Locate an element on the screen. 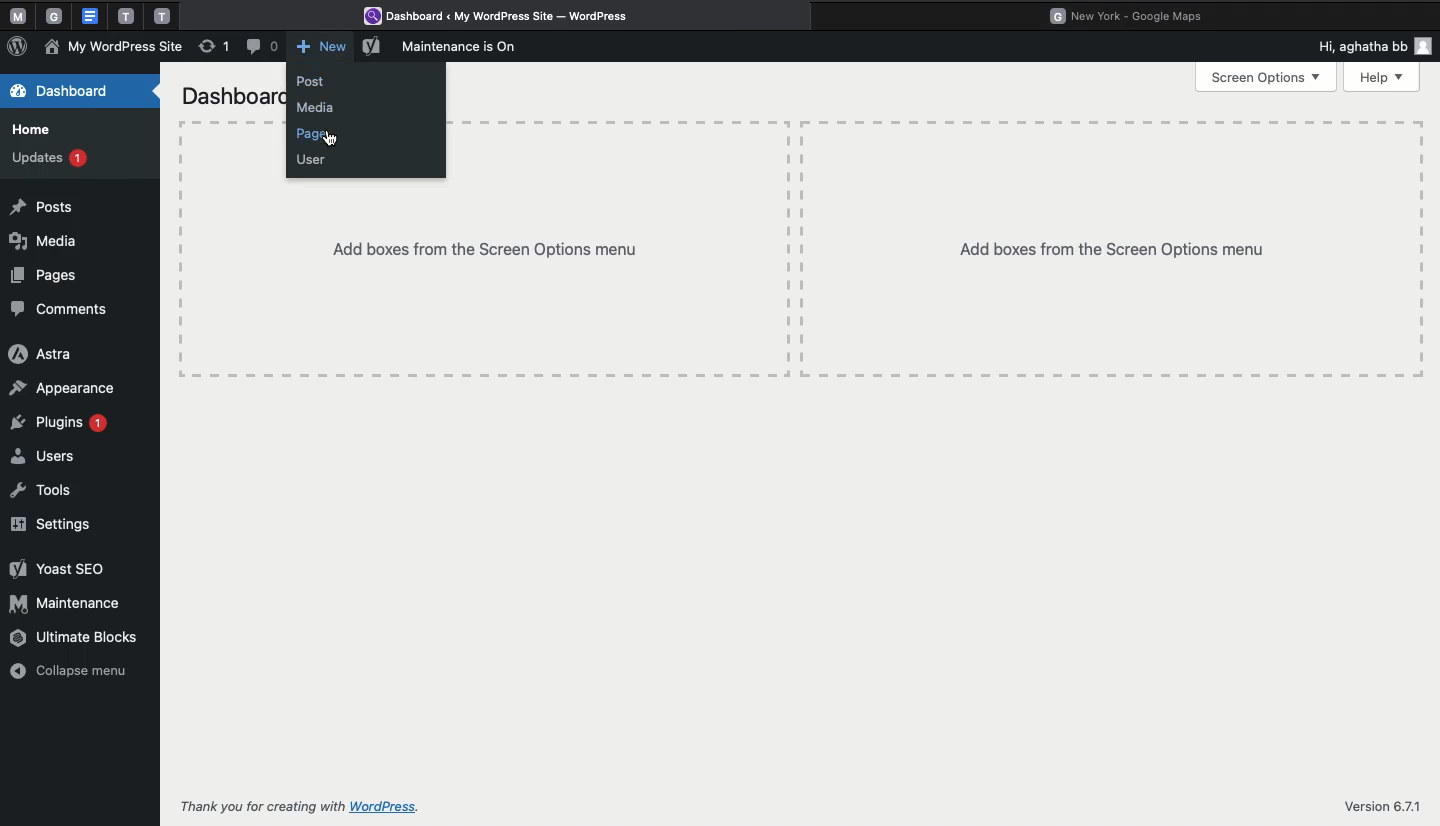 This screenshot has height=826, width=1440. Media is located at coordinates (53, 241).